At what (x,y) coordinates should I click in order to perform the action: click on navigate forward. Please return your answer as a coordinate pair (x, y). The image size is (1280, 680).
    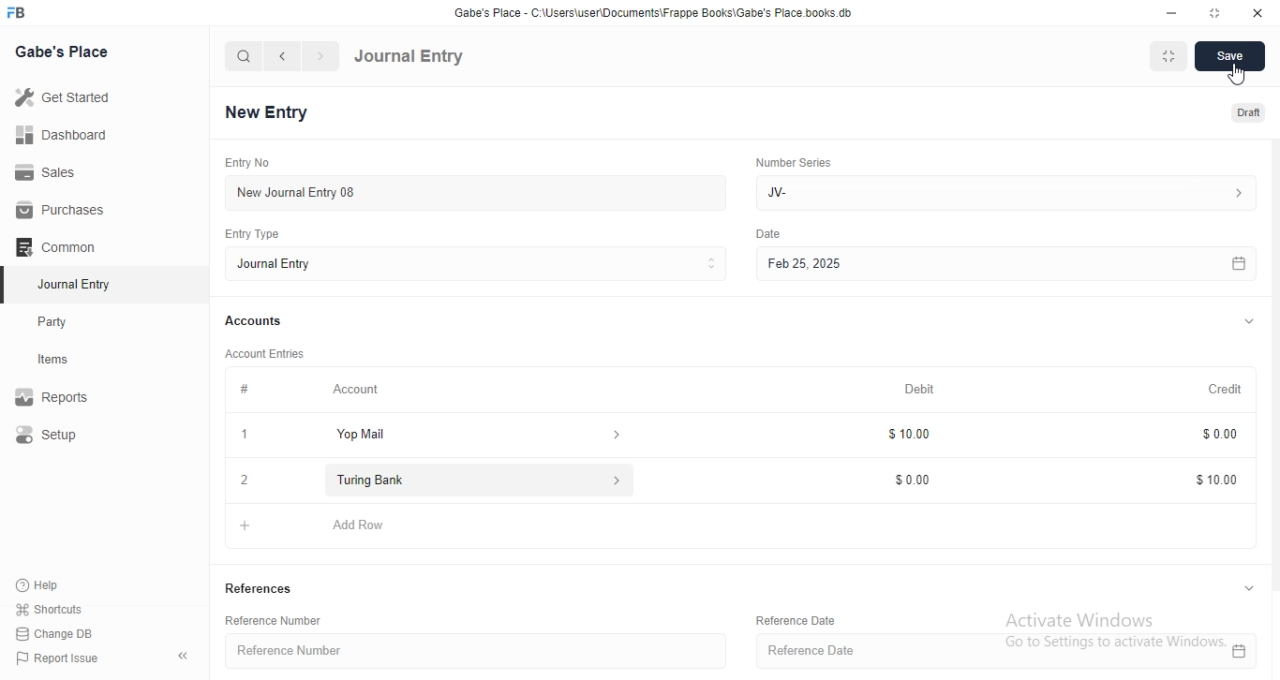
    Looking at the image, I should click on (321, 56).